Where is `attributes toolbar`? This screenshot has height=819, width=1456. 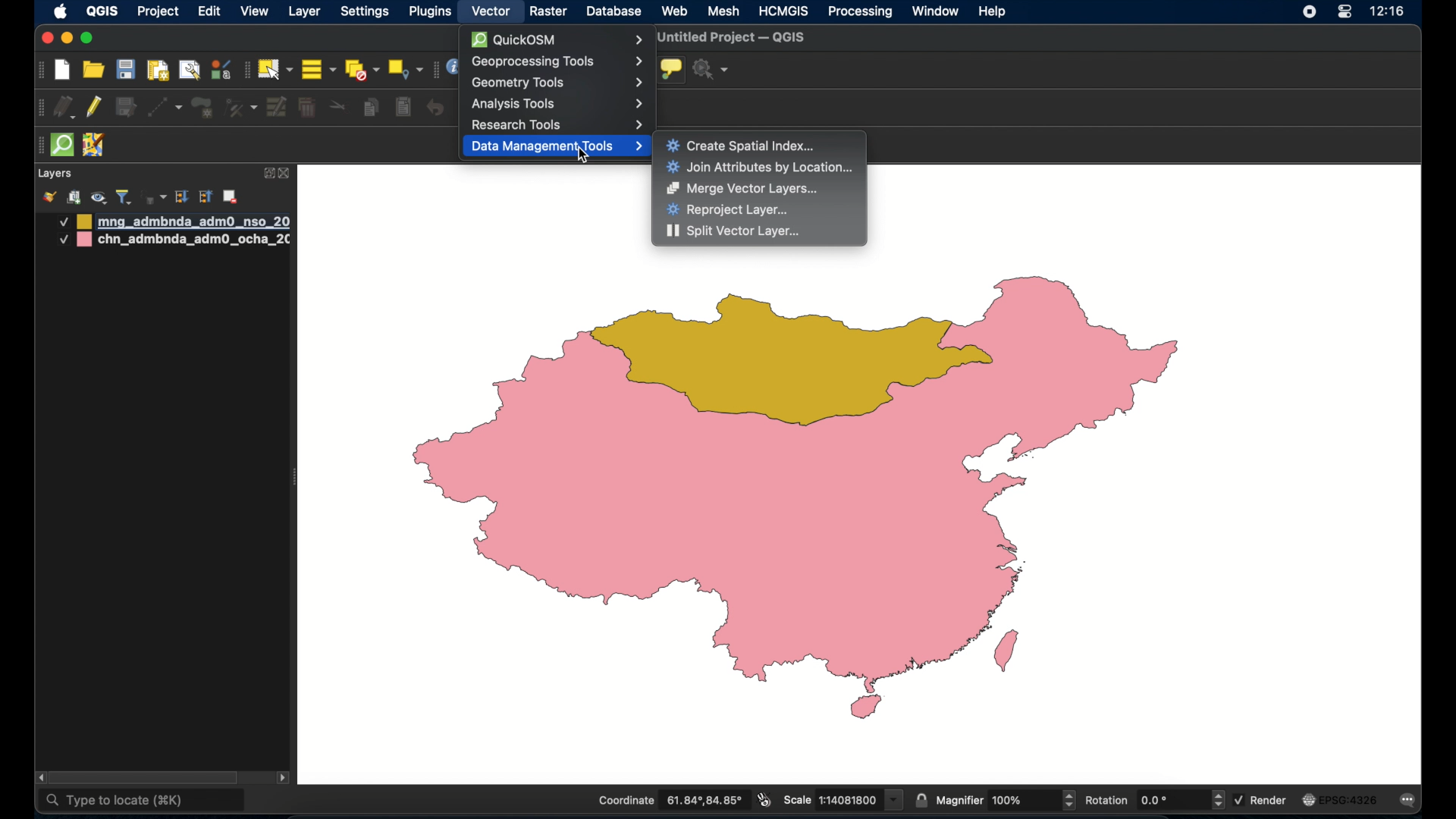
attributes toolbar is located at coordinates (433, 70).